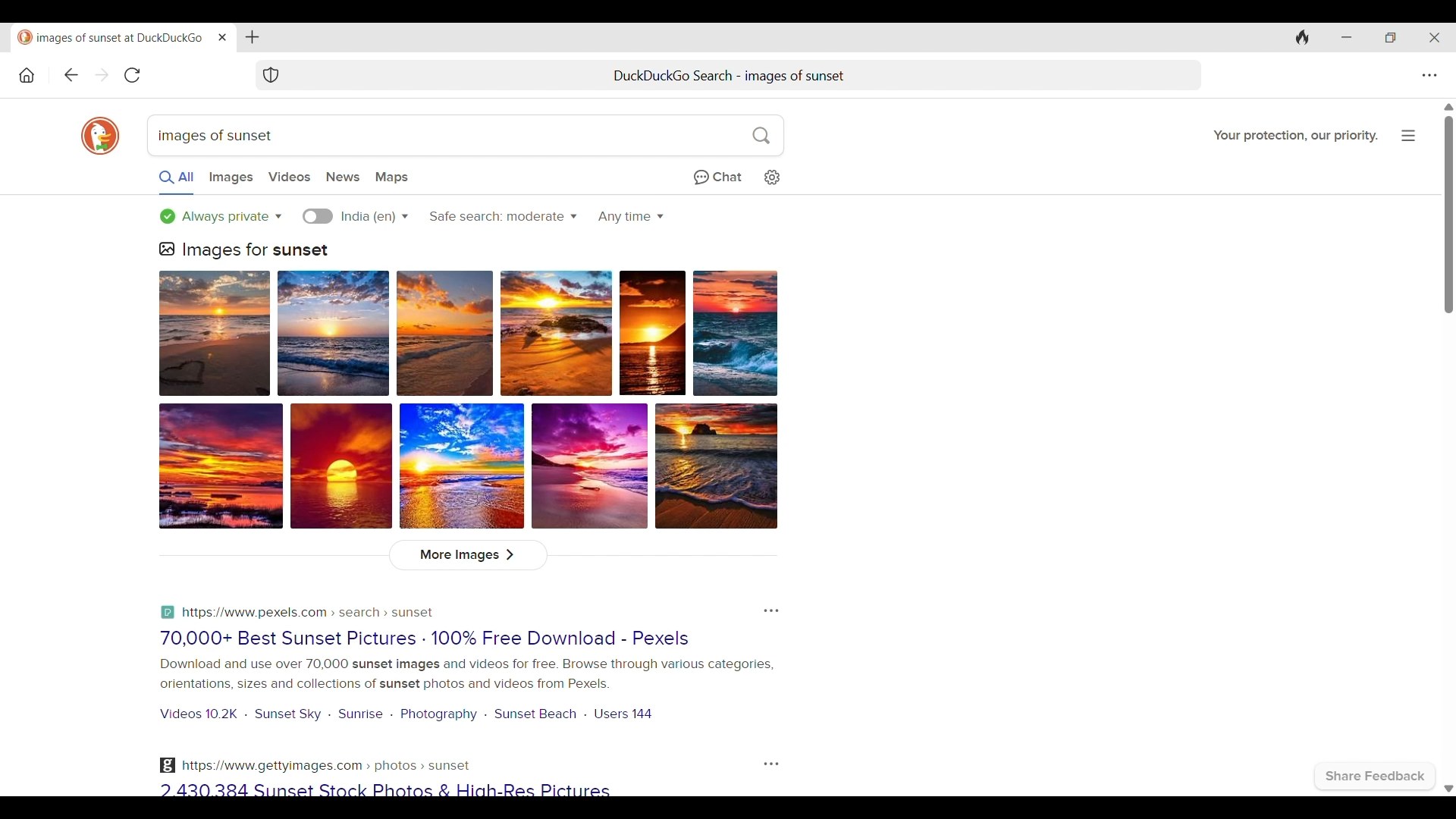 Image resolution: width=1456 pixels, height=819 pixels. What do you see at coordinates (133, 75) in the screenshot?
I see `Refresh current page` at bounding box center [133, 75].